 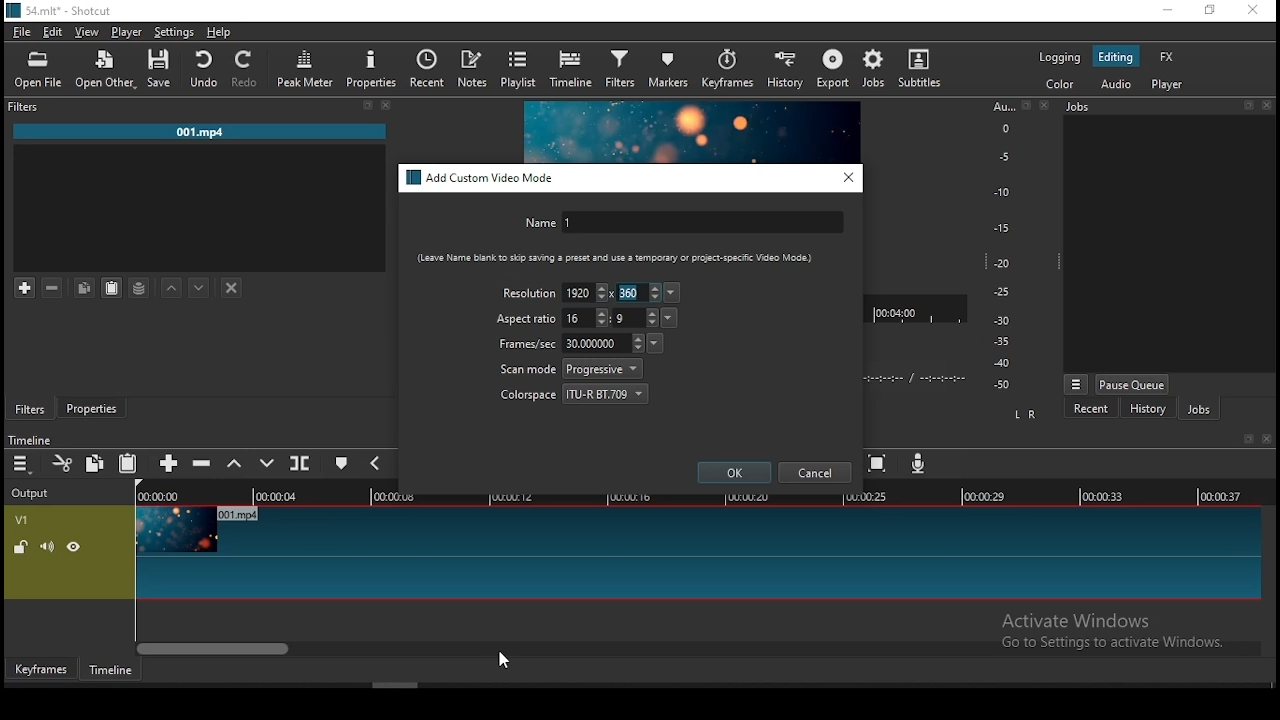 I want to click on resolution, so click(x=527, y=292).